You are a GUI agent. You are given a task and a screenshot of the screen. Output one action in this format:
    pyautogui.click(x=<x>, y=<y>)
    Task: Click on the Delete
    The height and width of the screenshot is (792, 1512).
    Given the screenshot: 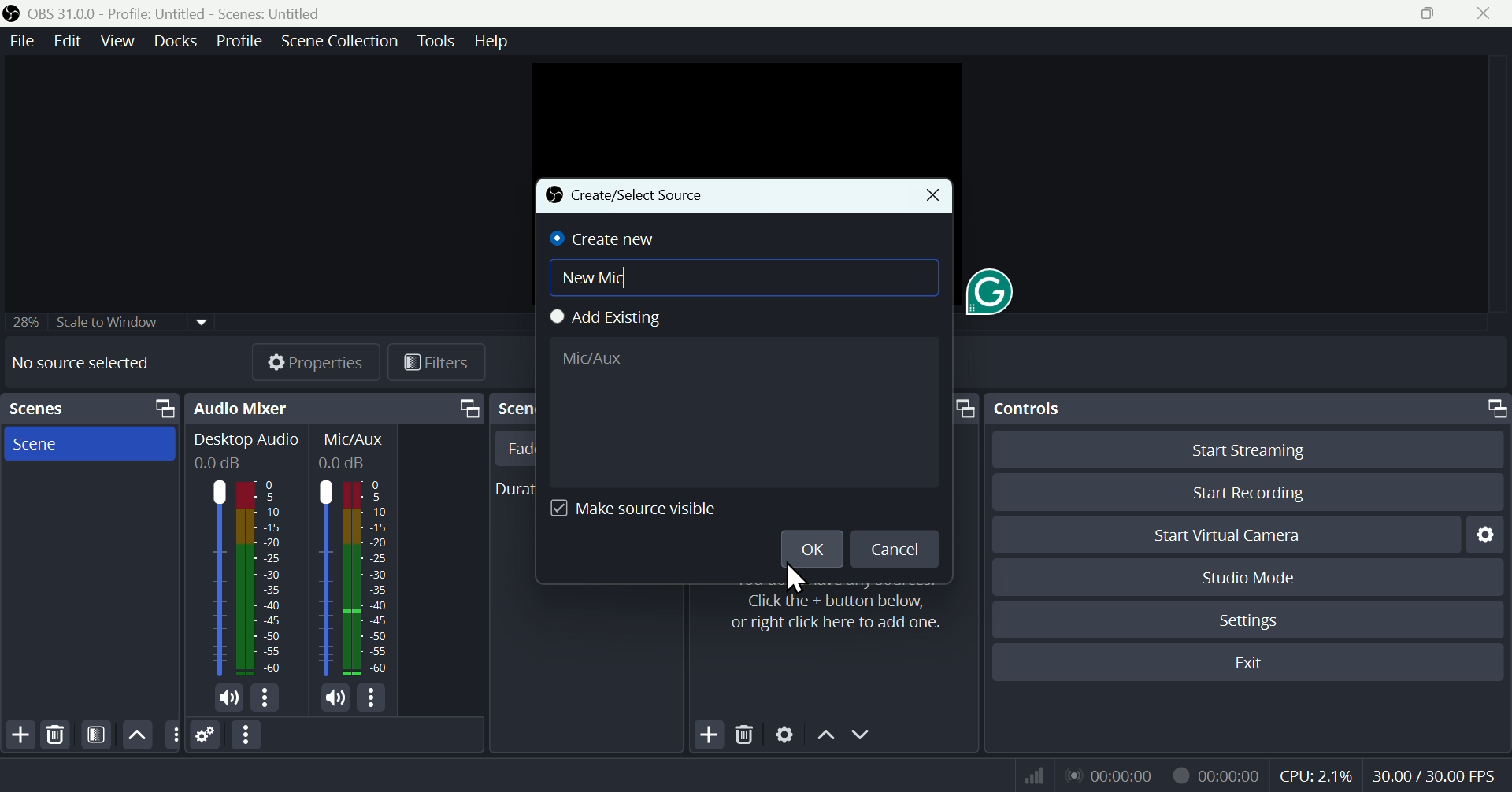 What is the action you would take?
    pyautogui.click(x=747, y=737)
    